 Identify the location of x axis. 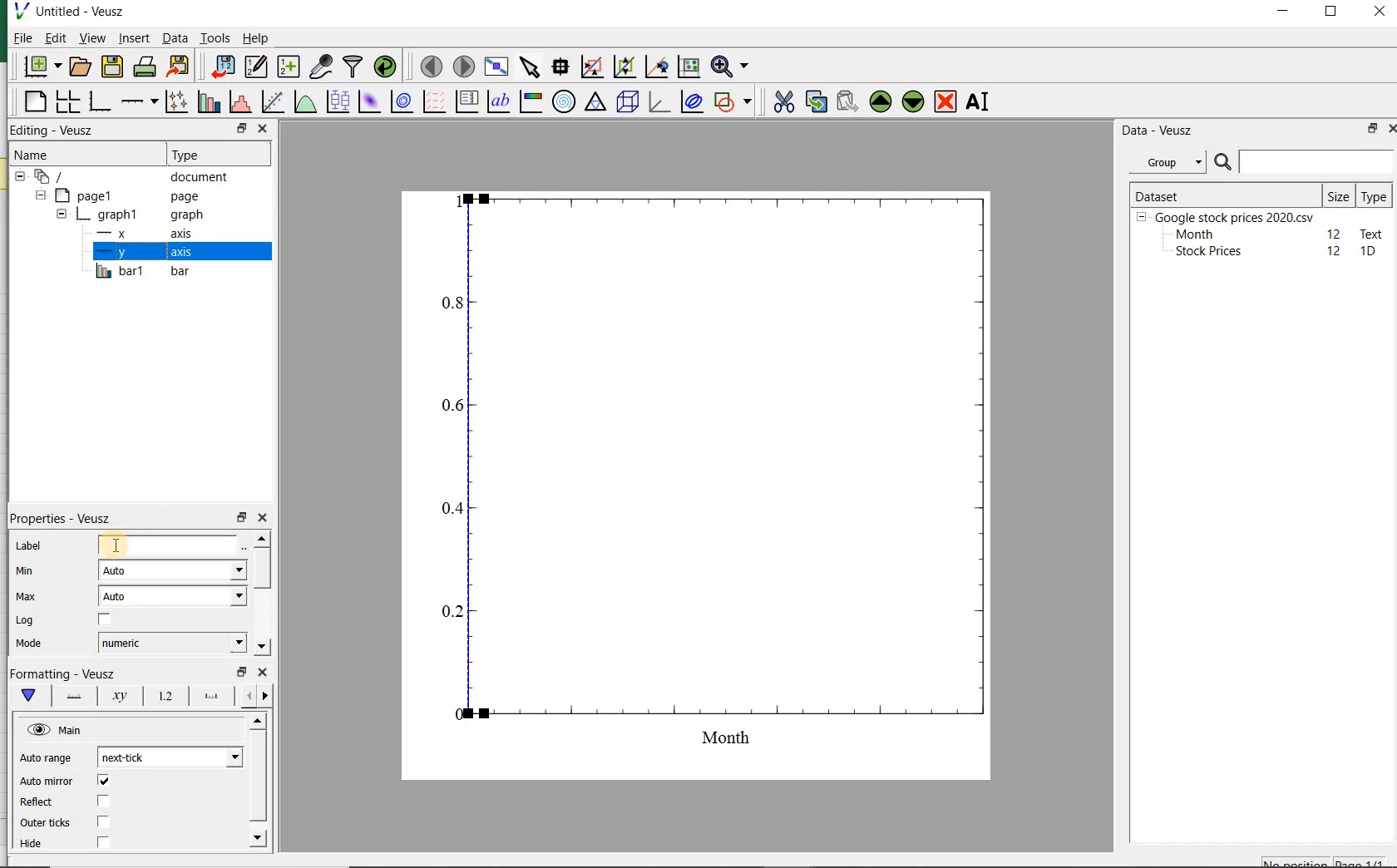
(137, 234).